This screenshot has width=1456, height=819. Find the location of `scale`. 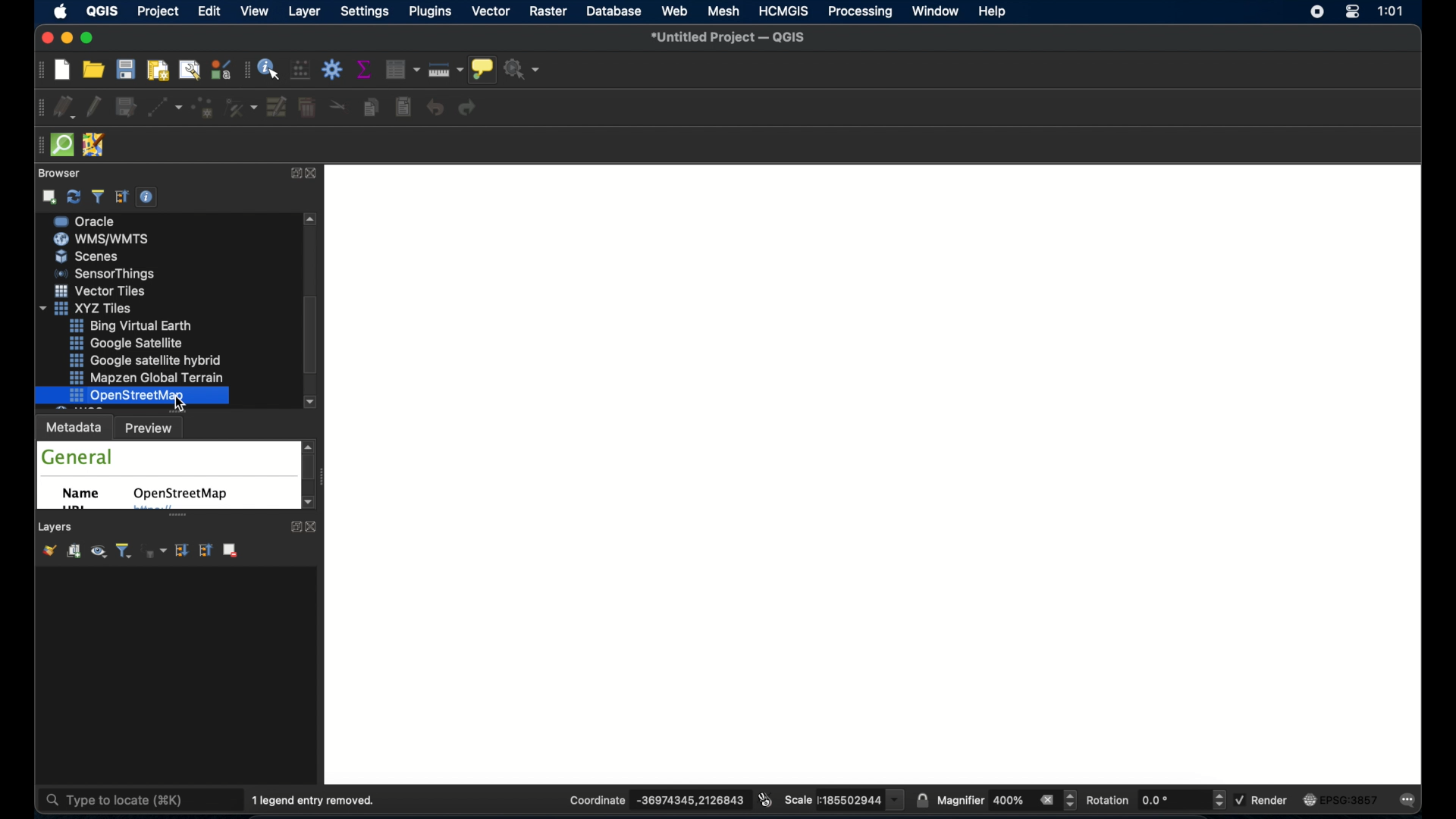

scale is located at coordinates (843, 799).